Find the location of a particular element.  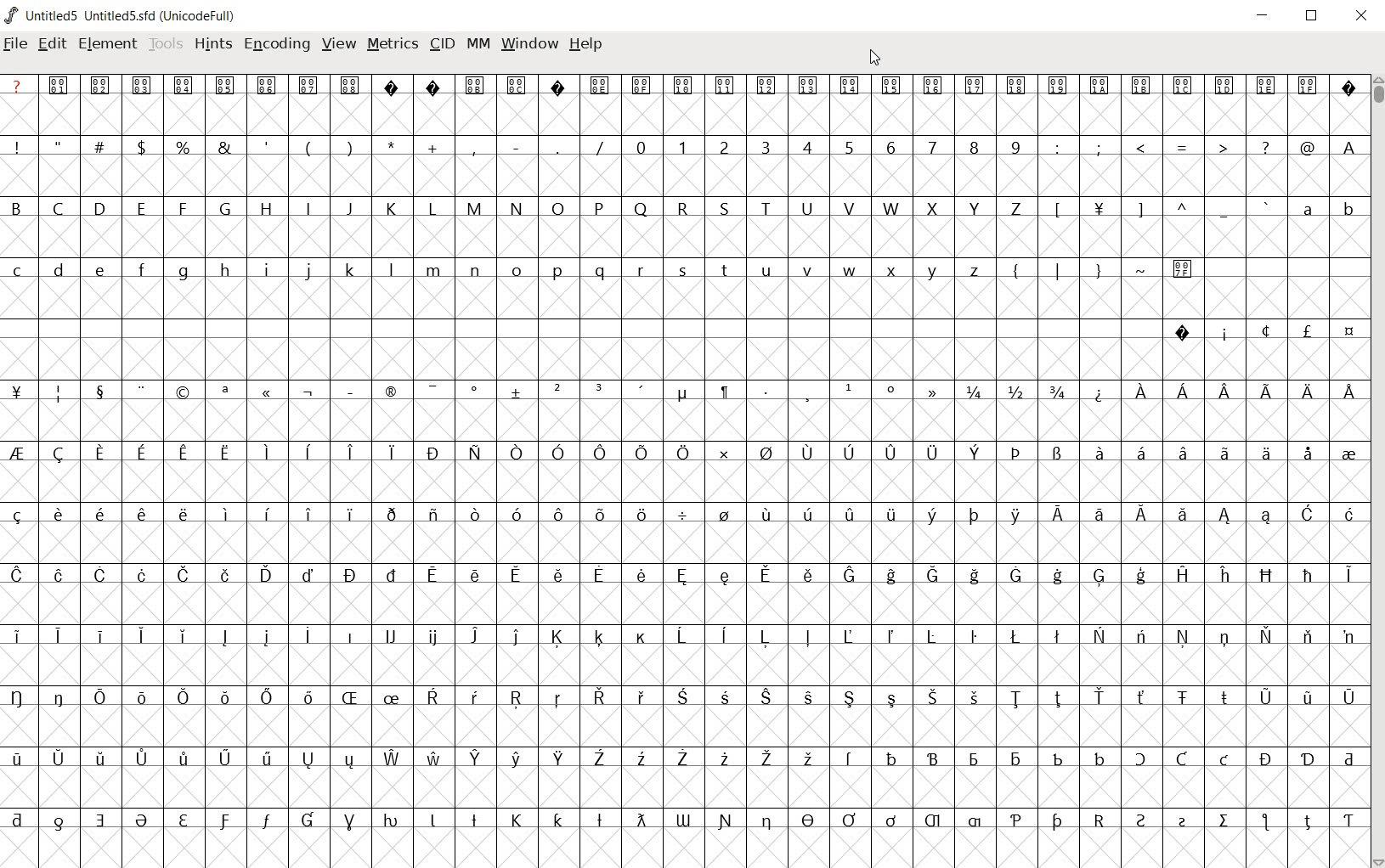

Symbol is located at coordinates (1266, 575).